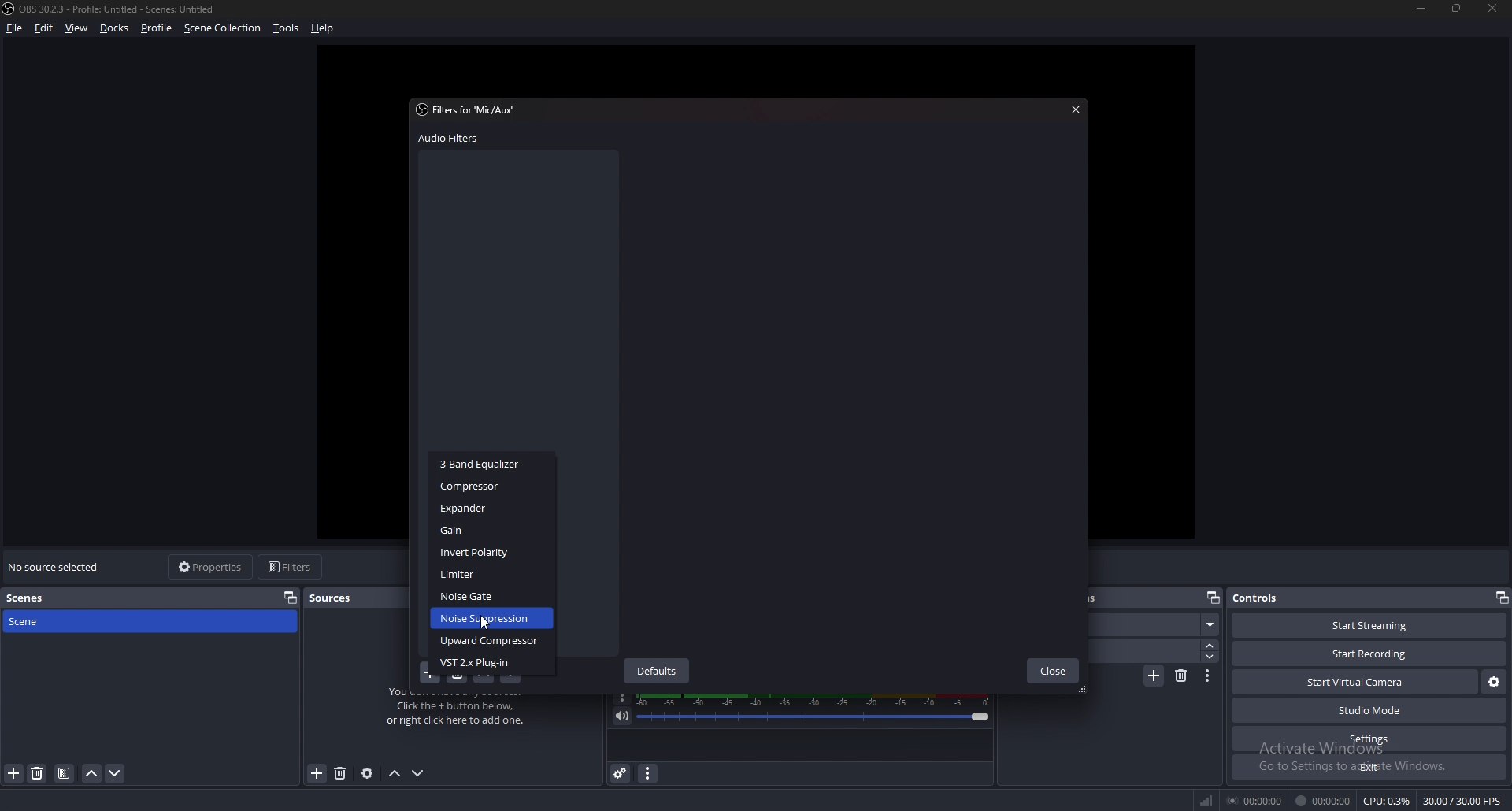 The height and width of the screenshot is (811, 1512). What do you see at coordinates (76, 28) in the screenshot?
I see `view` at bounding box center [76, 28].